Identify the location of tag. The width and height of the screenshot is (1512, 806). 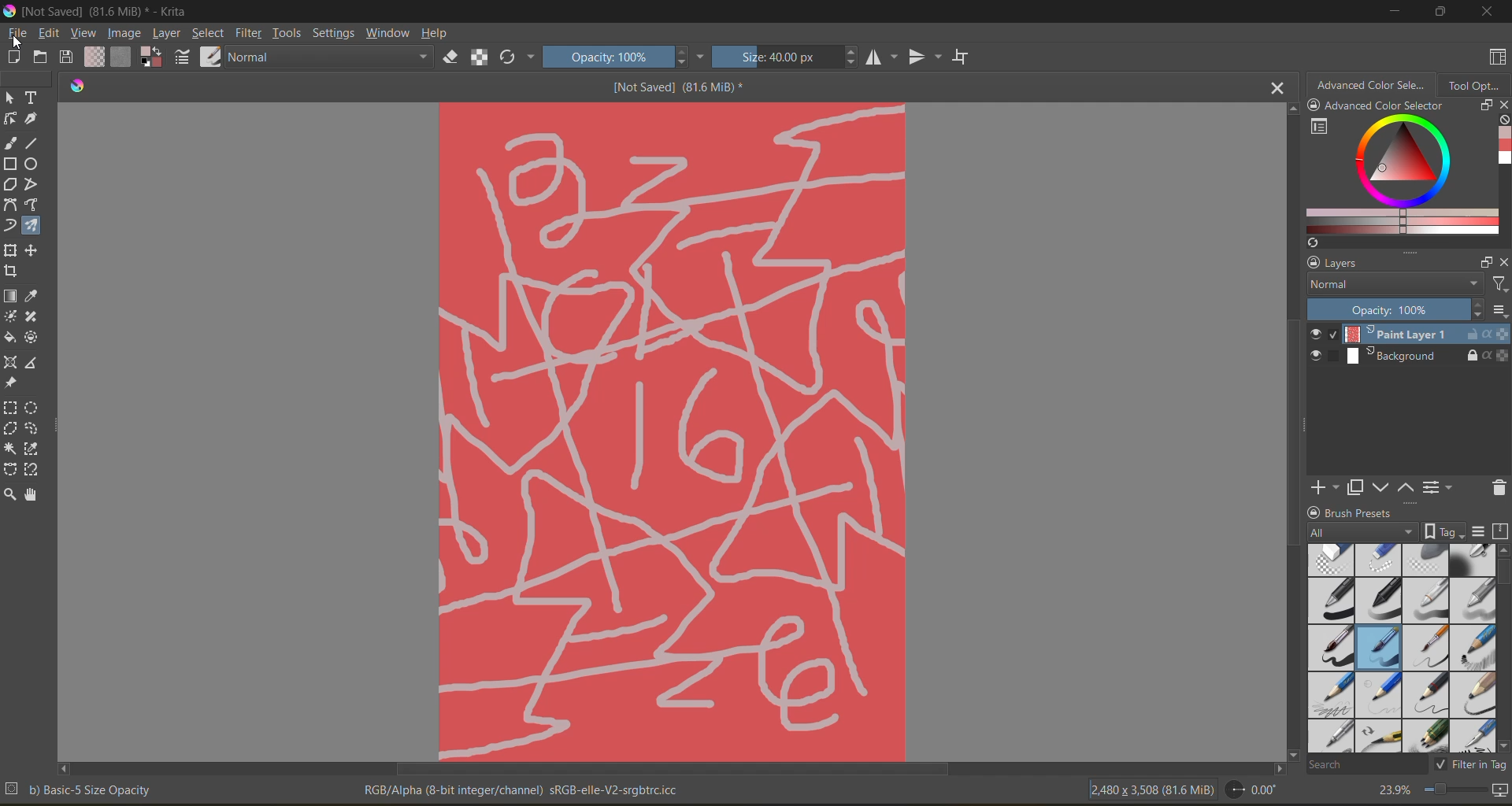
(1363, 533).